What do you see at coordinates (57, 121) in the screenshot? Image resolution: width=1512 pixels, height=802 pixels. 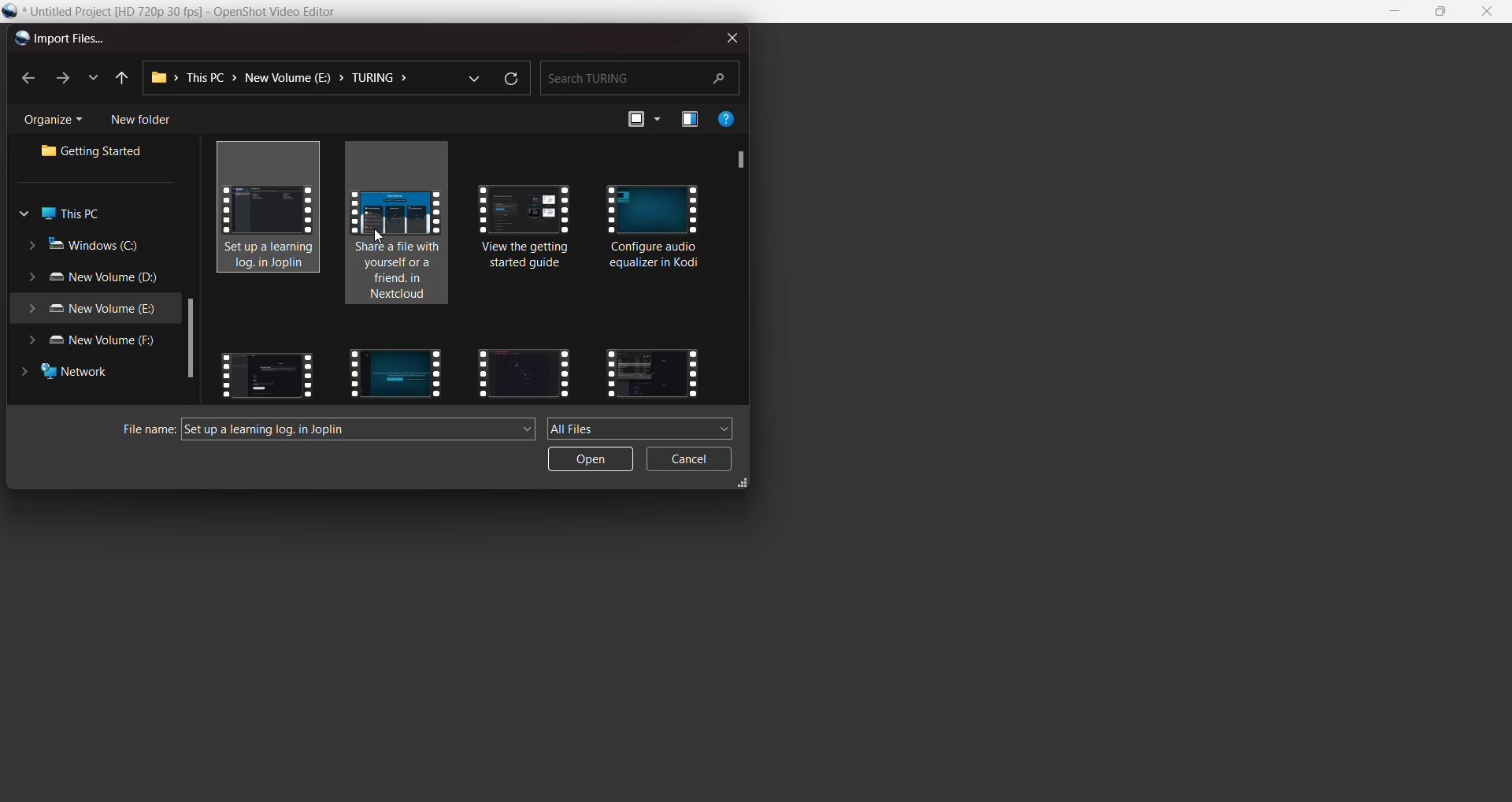 I see `organize` at bounding box center [57, 121].